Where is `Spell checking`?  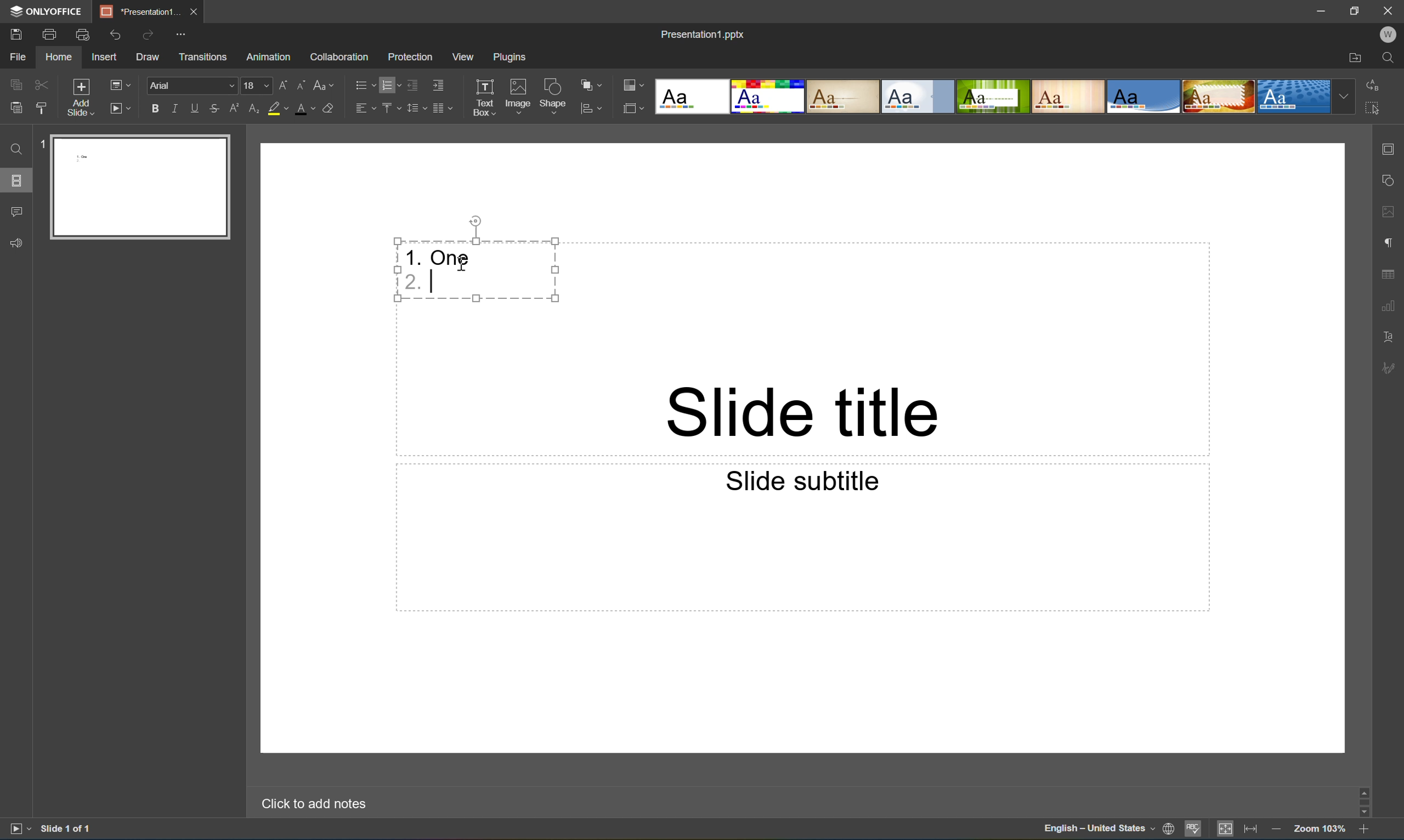
Spell checking is located at coordinates (1193, 829).